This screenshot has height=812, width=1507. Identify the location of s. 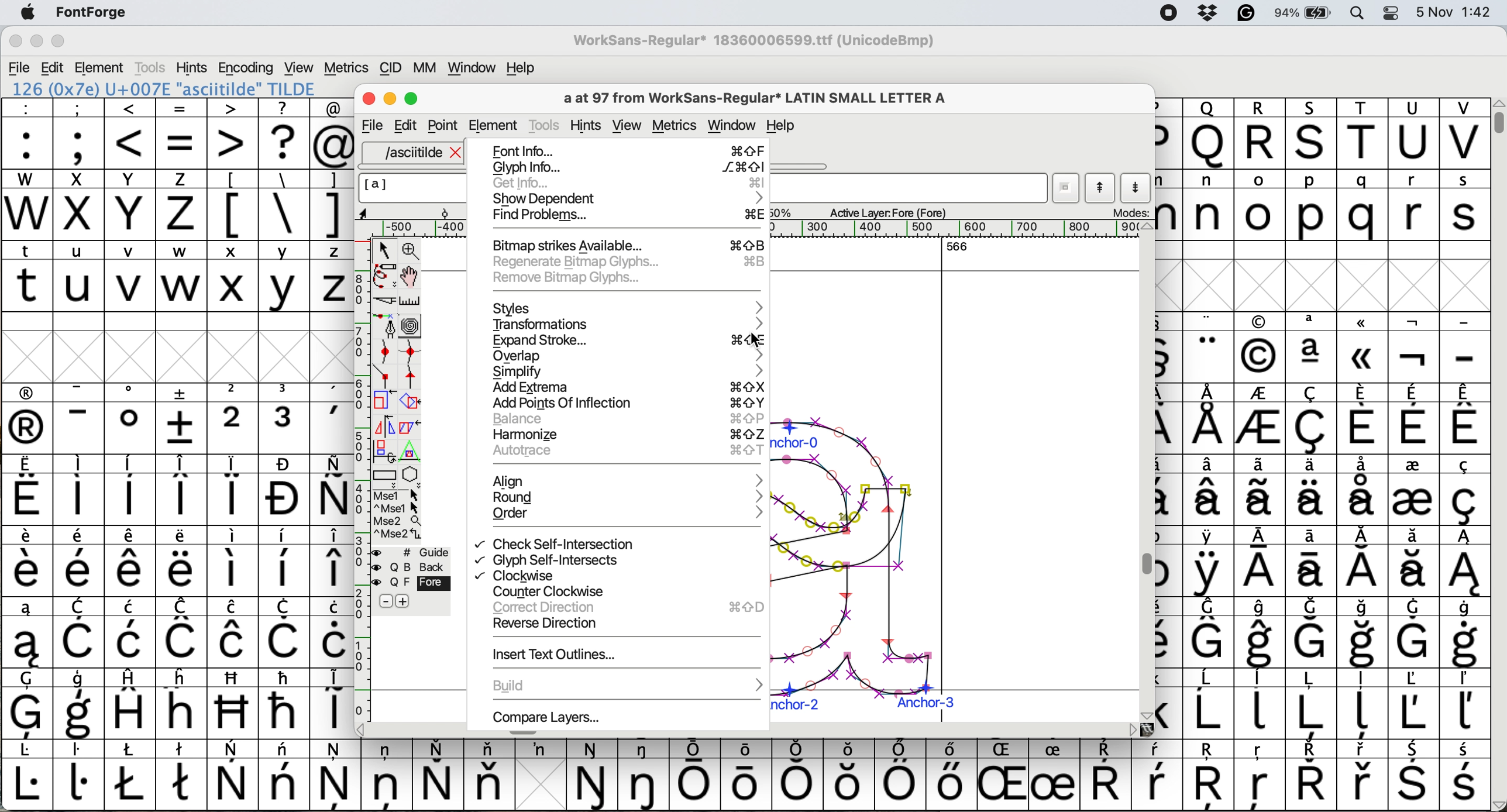
(1465, 205).